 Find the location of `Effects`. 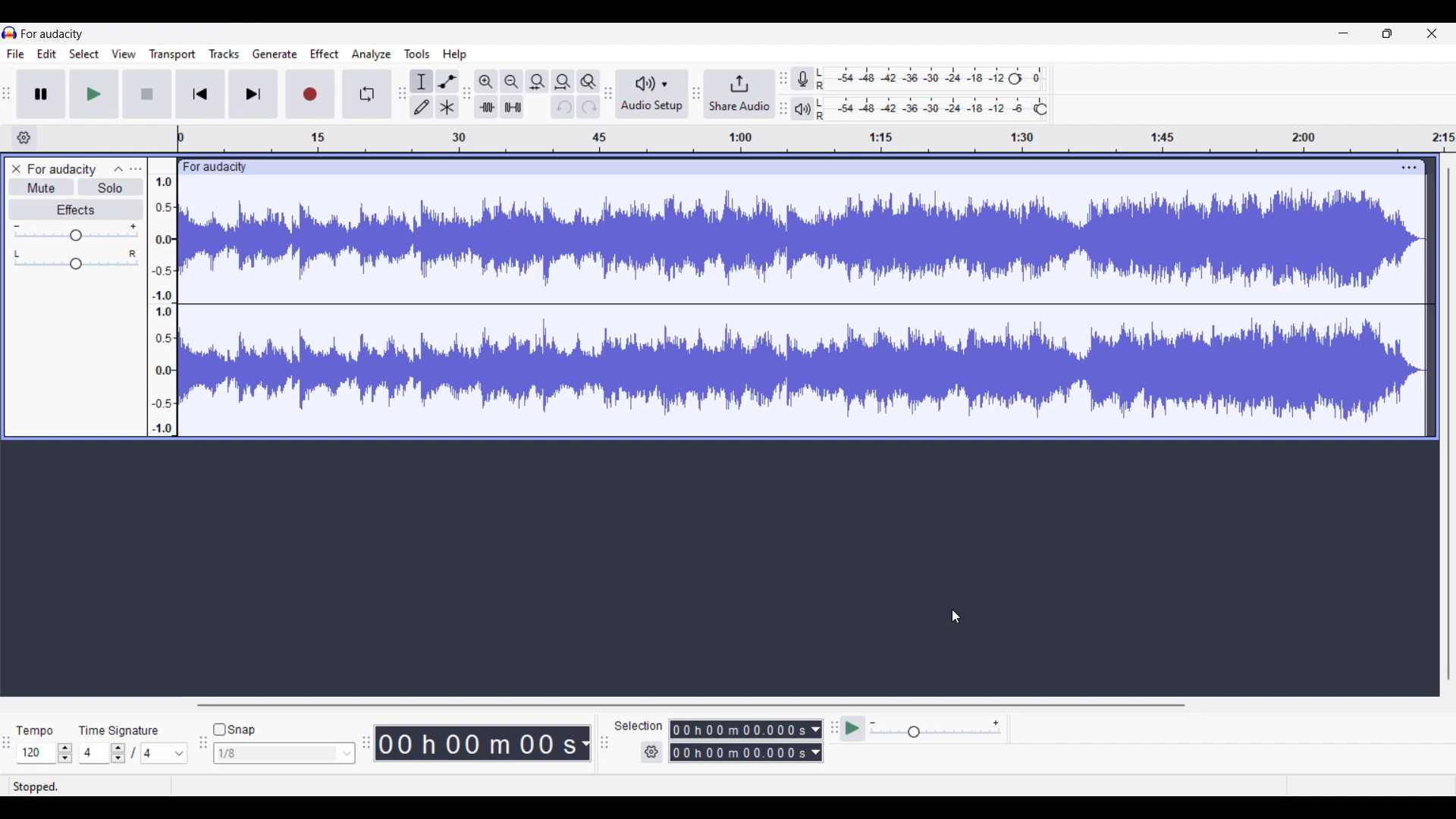

Effects is located at coordinates (76, 209).